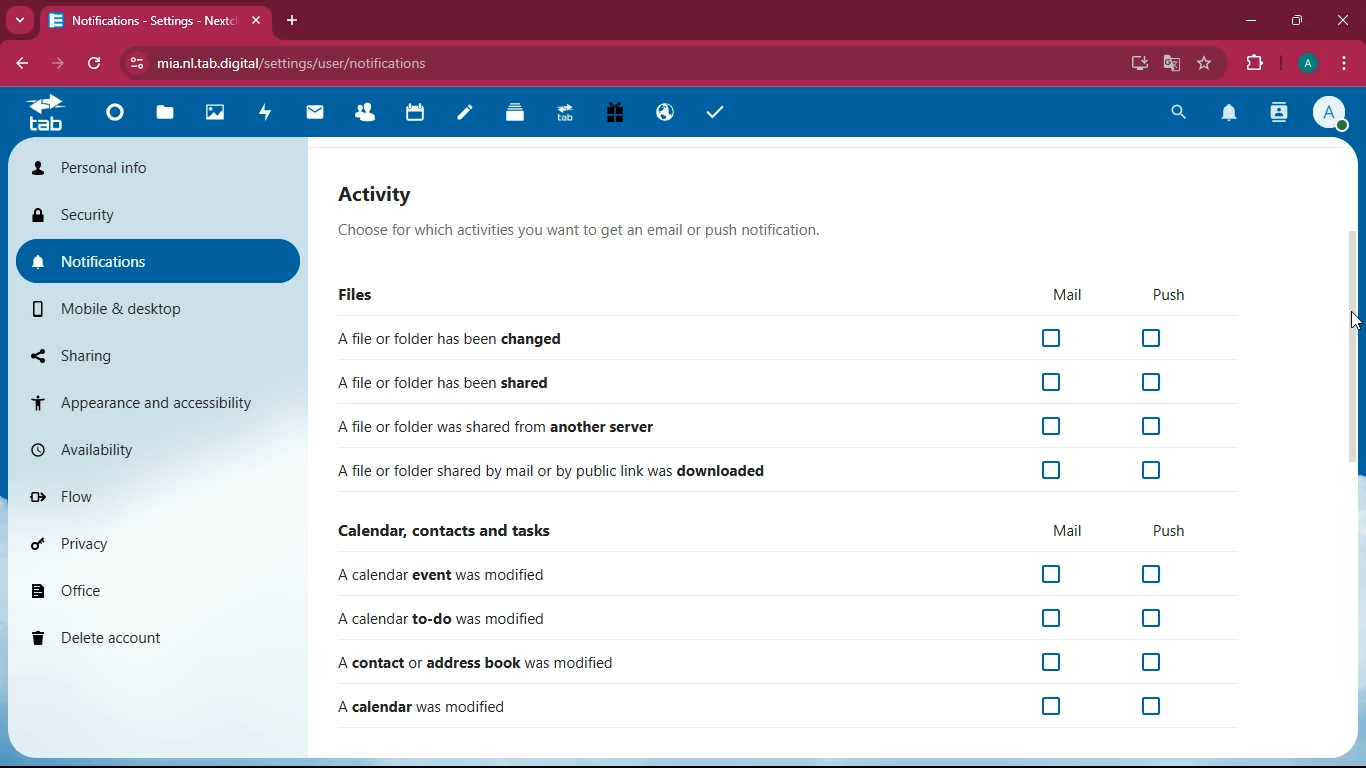 This screenshot has height=768, width=1366. I want to click on notification, so click(1230, 114).